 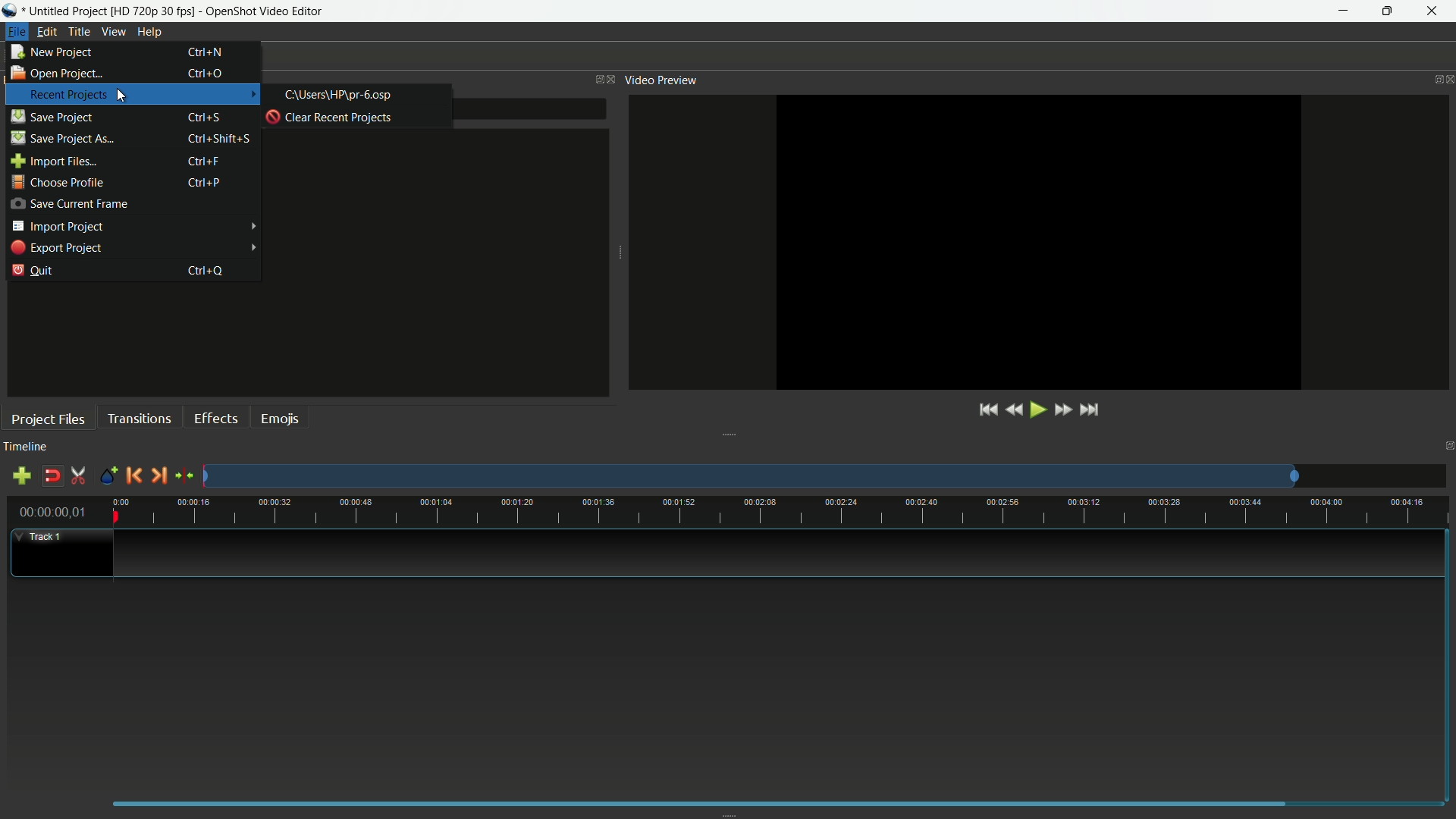 What do you see at coordinates (595, 80) in the screenshot?
I see `change layout` at bounding box center [595, 80].